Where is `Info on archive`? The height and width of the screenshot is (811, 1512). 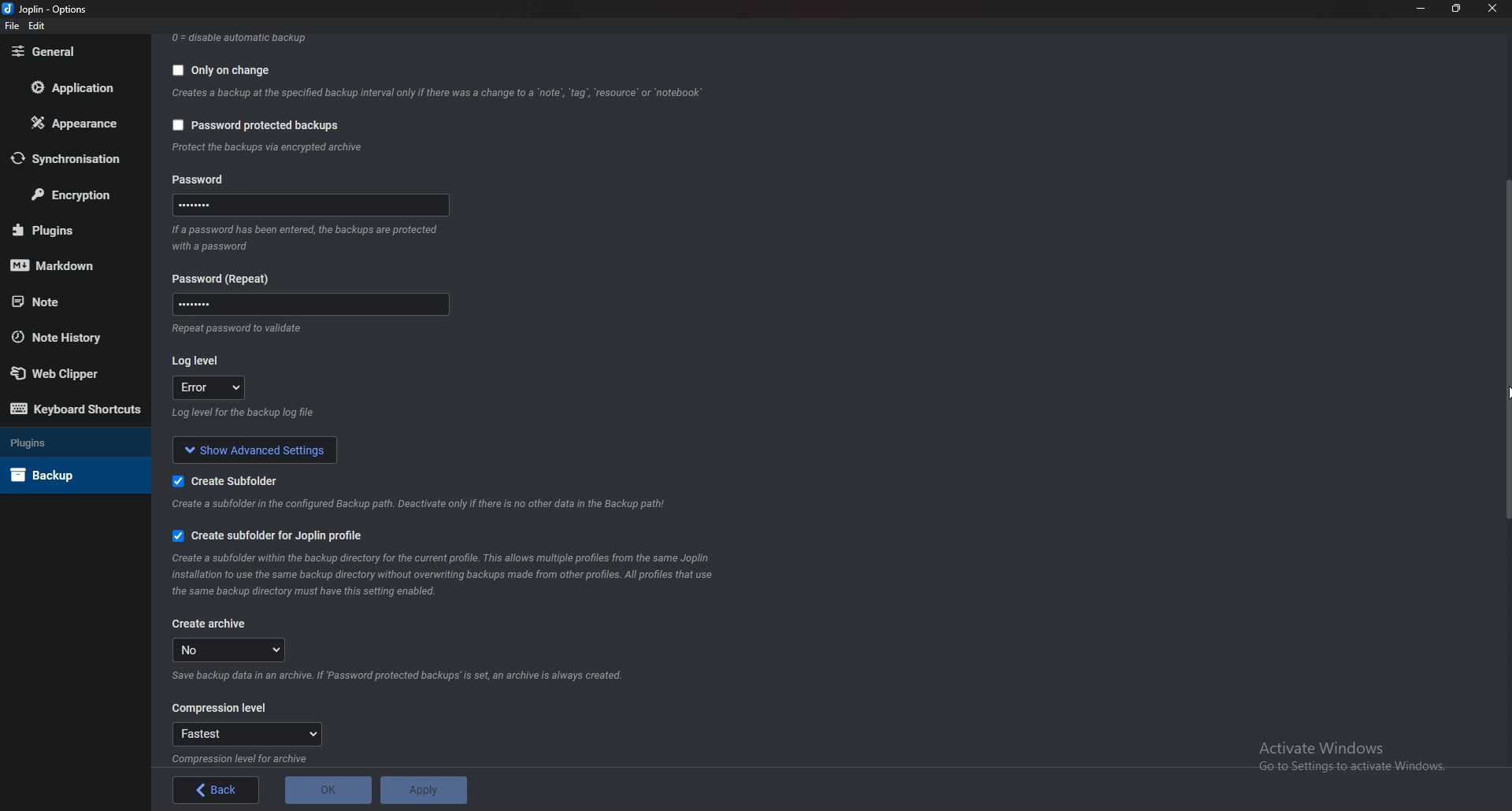 Info on archive is located at coordinates (402, 674).